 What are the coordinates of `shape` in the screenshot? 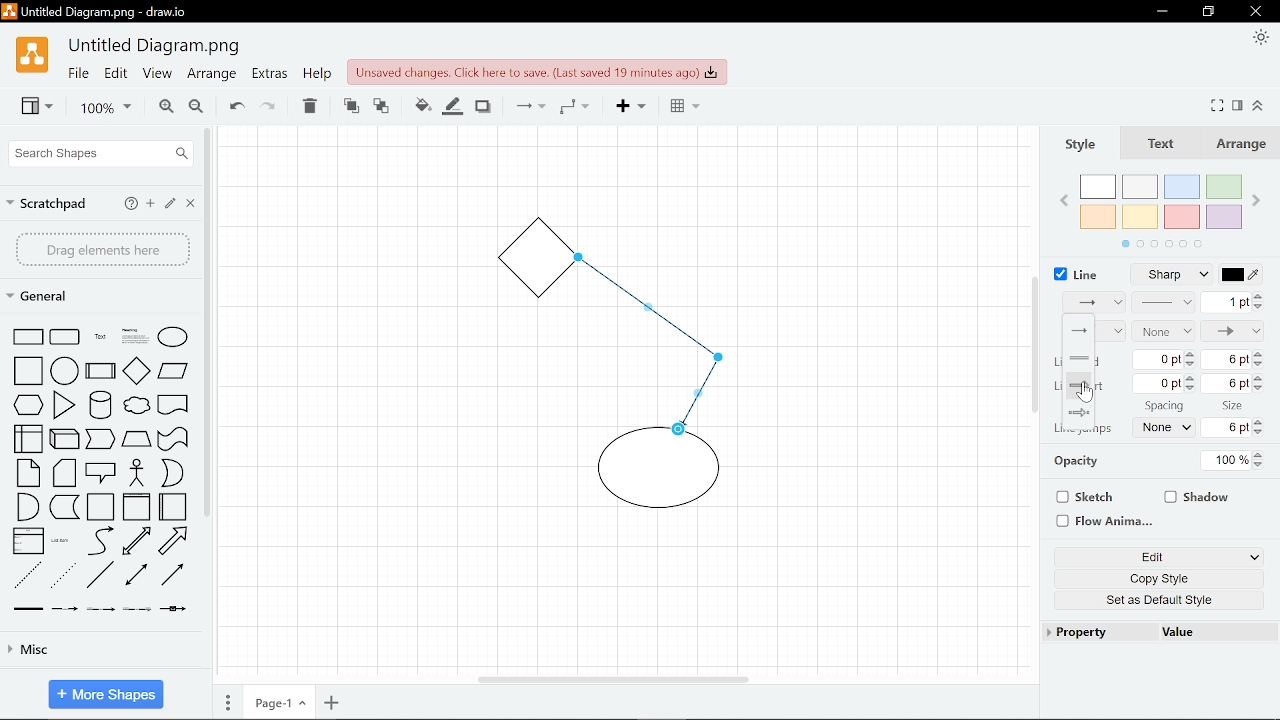 It's located at (28, 507).